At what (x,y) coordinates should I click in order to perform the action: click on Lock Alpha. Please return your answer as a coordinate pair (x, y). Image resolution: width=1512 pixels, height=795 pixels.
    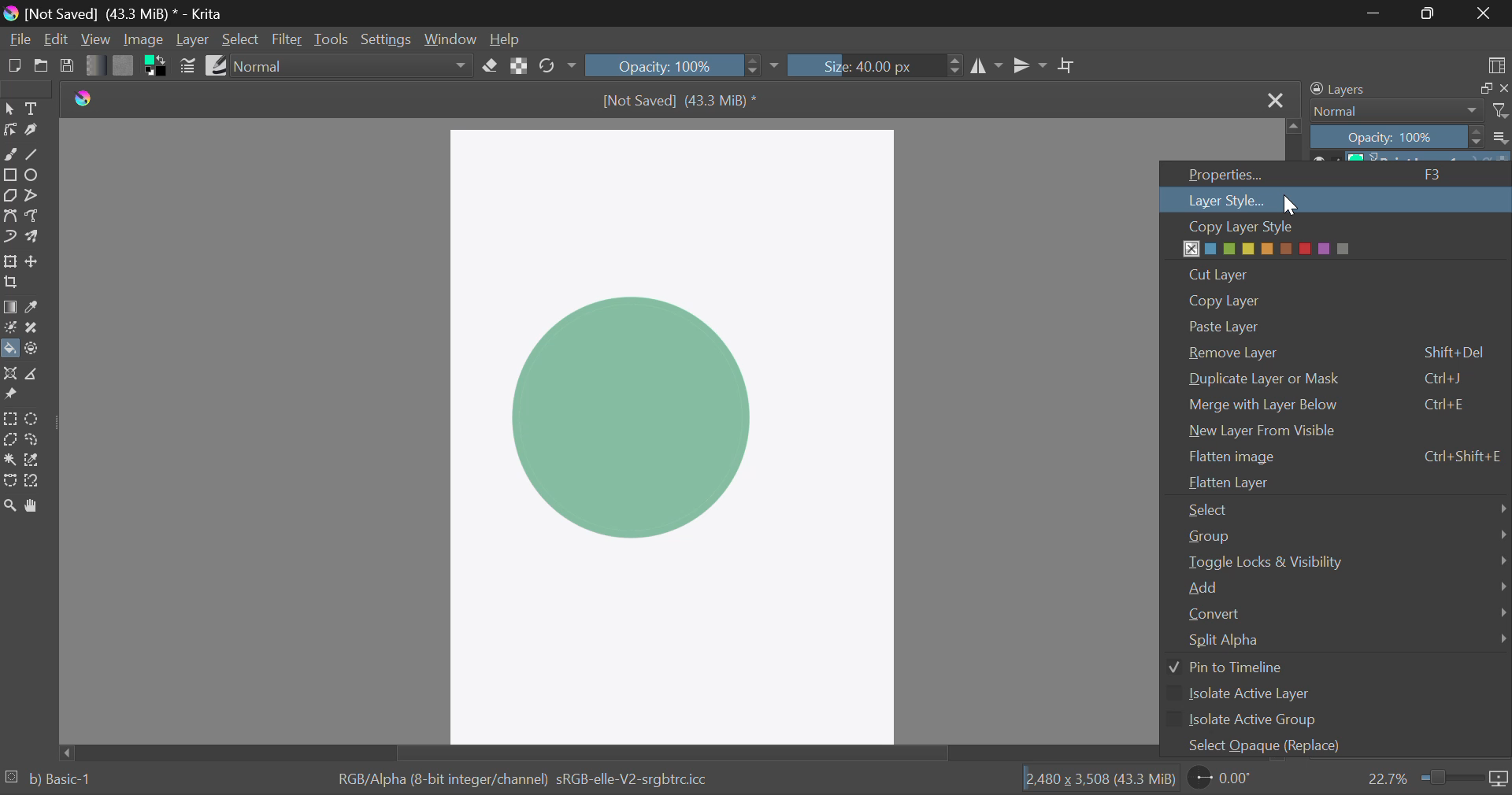
    Looking at the image, I should click on (520, 68).